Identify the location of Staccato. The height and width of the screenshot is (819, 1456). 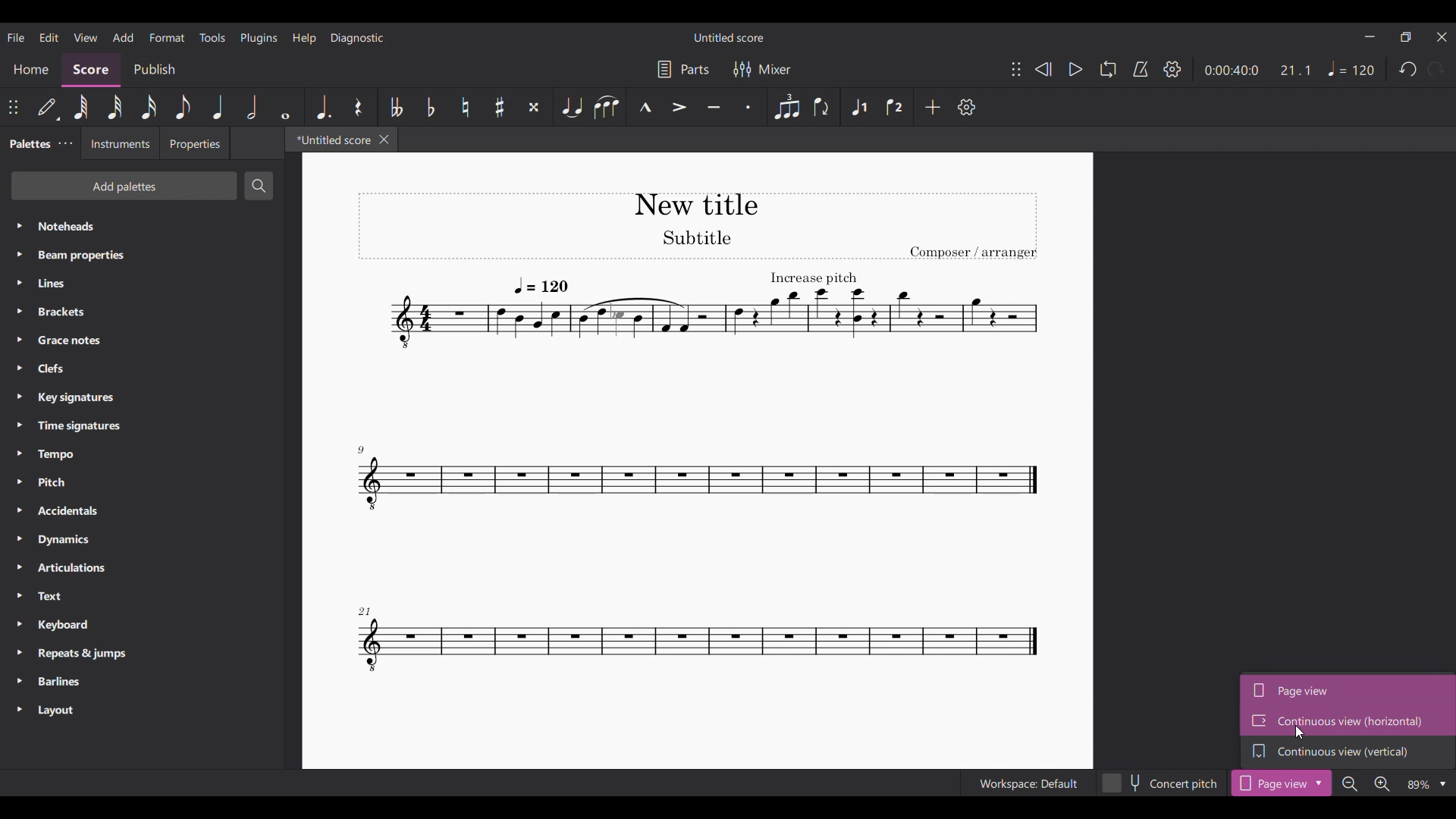
(748, 107).